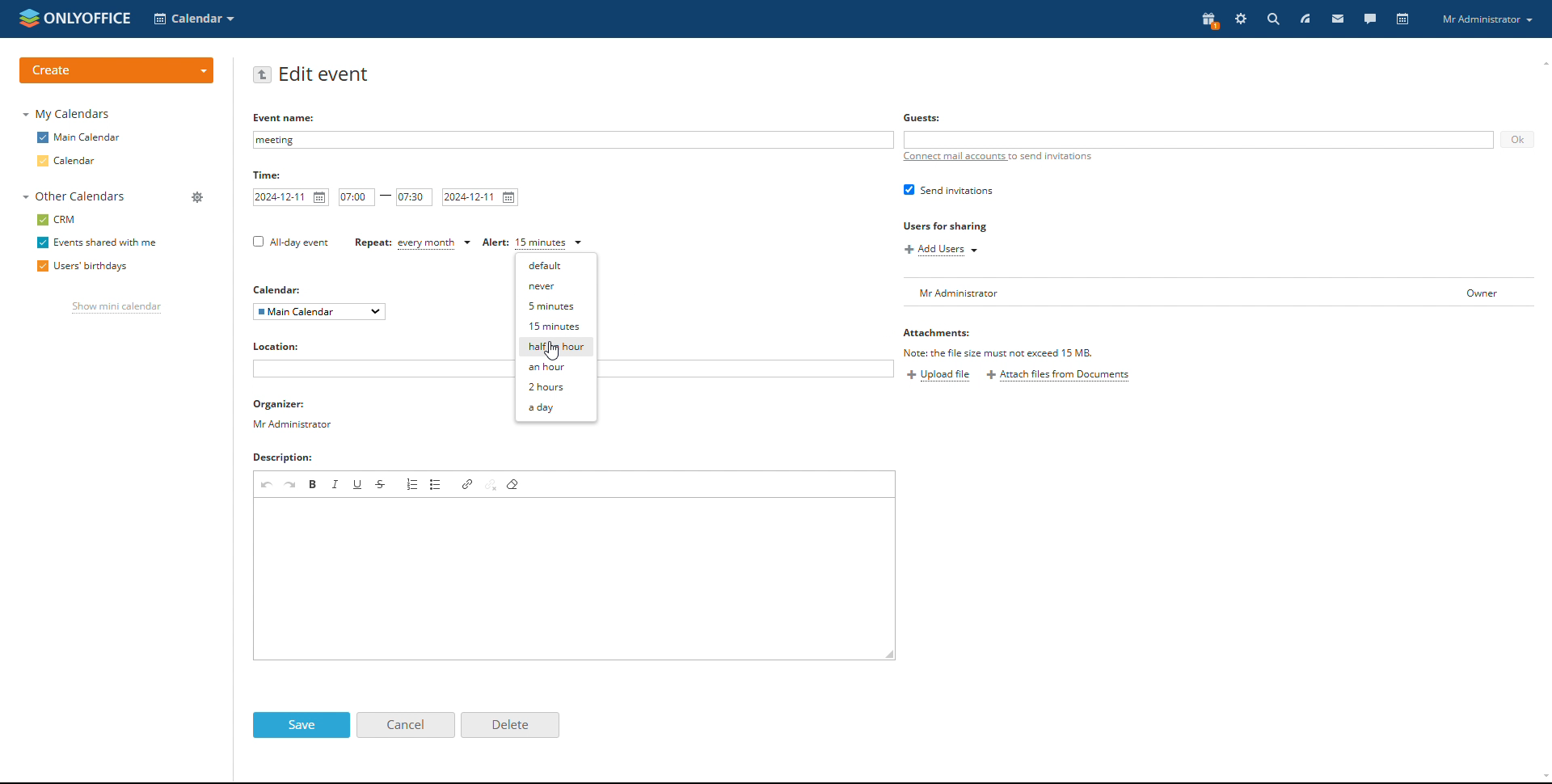  What do you see at coordinates (411, 484) in the screenshot?
I see `insert/remove numbered list` at bounding box center [411, 484].